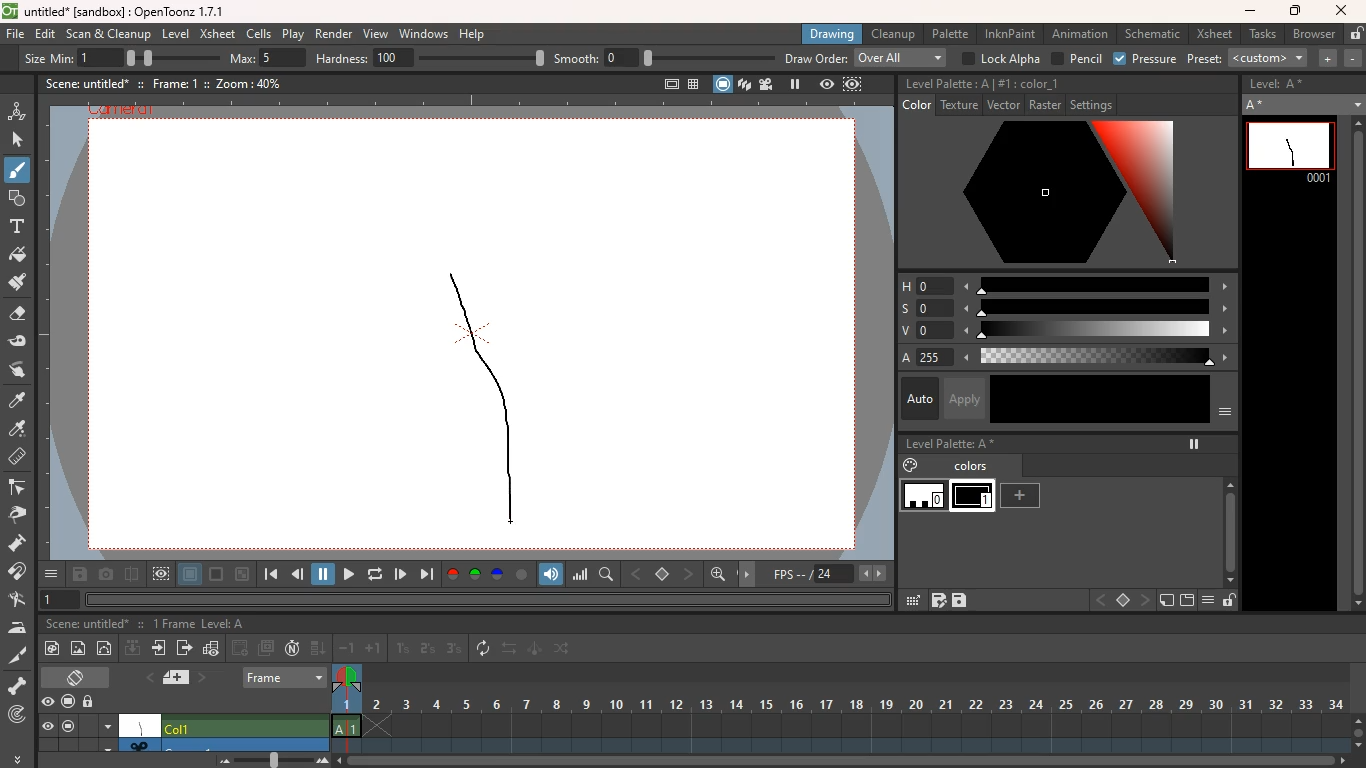 This screenshot has width=1366, height=768. What do you see at coordinates (947, 84) in the screenshot?
I see `level palette: A` at bounding box center [947, 84].